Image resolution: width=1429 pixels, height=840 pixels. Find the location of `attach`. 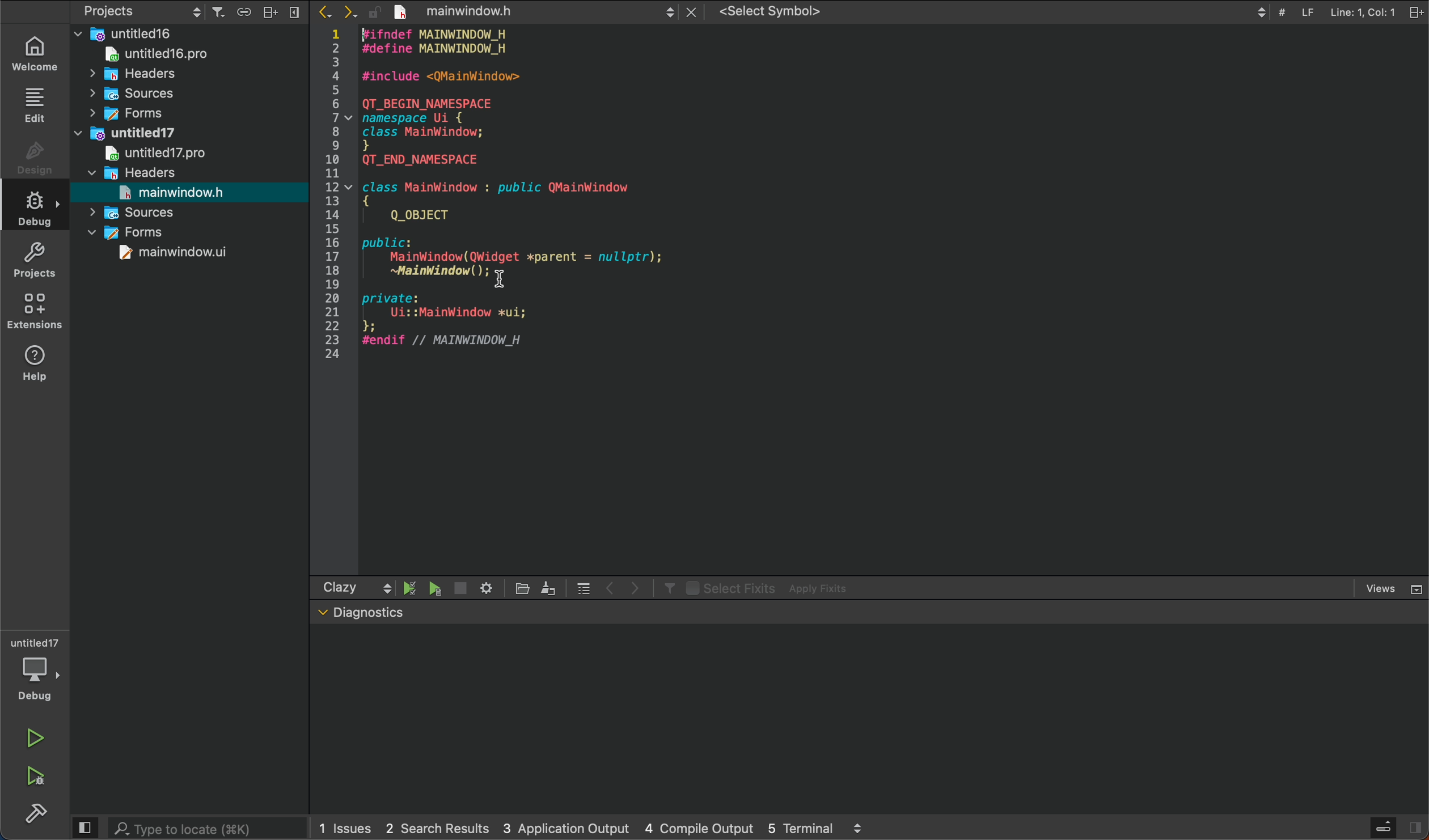

attach is located at coordinates (241, 11).